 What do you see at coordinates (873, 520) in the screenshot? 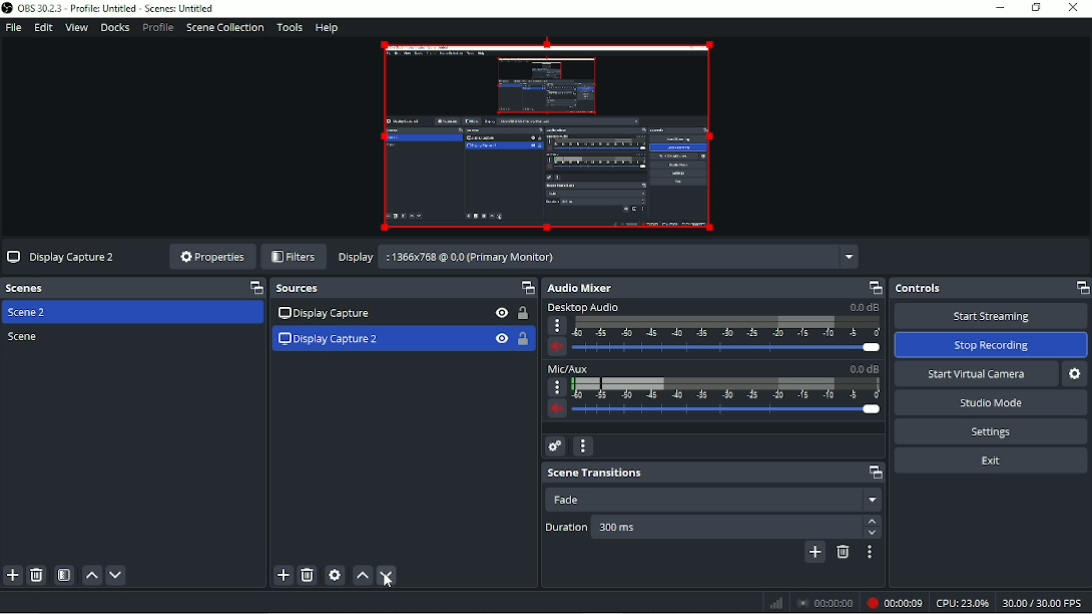
I see `up arrow buttom` at bounding box center [873, 520].